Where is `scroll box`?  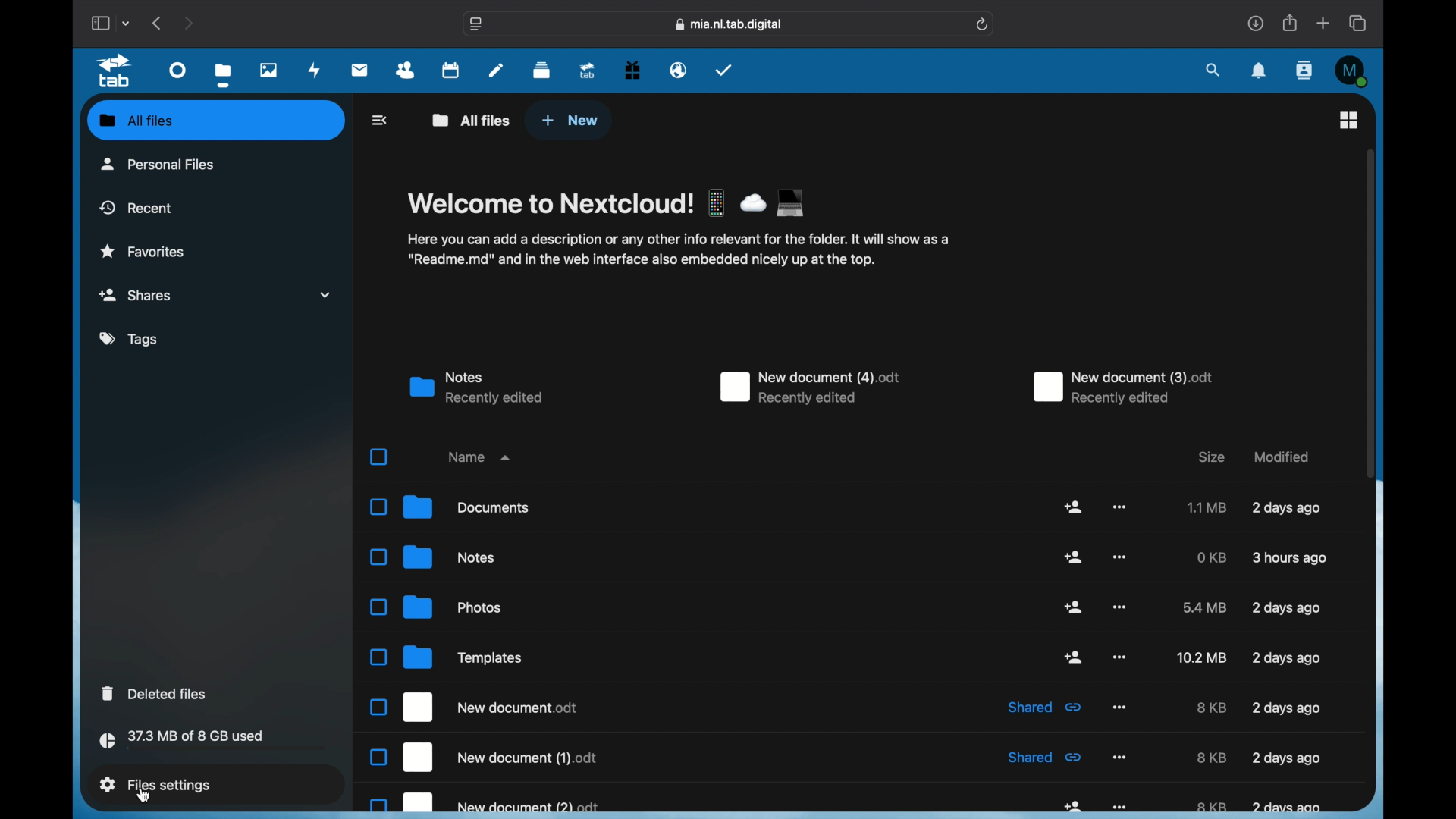
scroll box is located at coordinates (1371, 312).